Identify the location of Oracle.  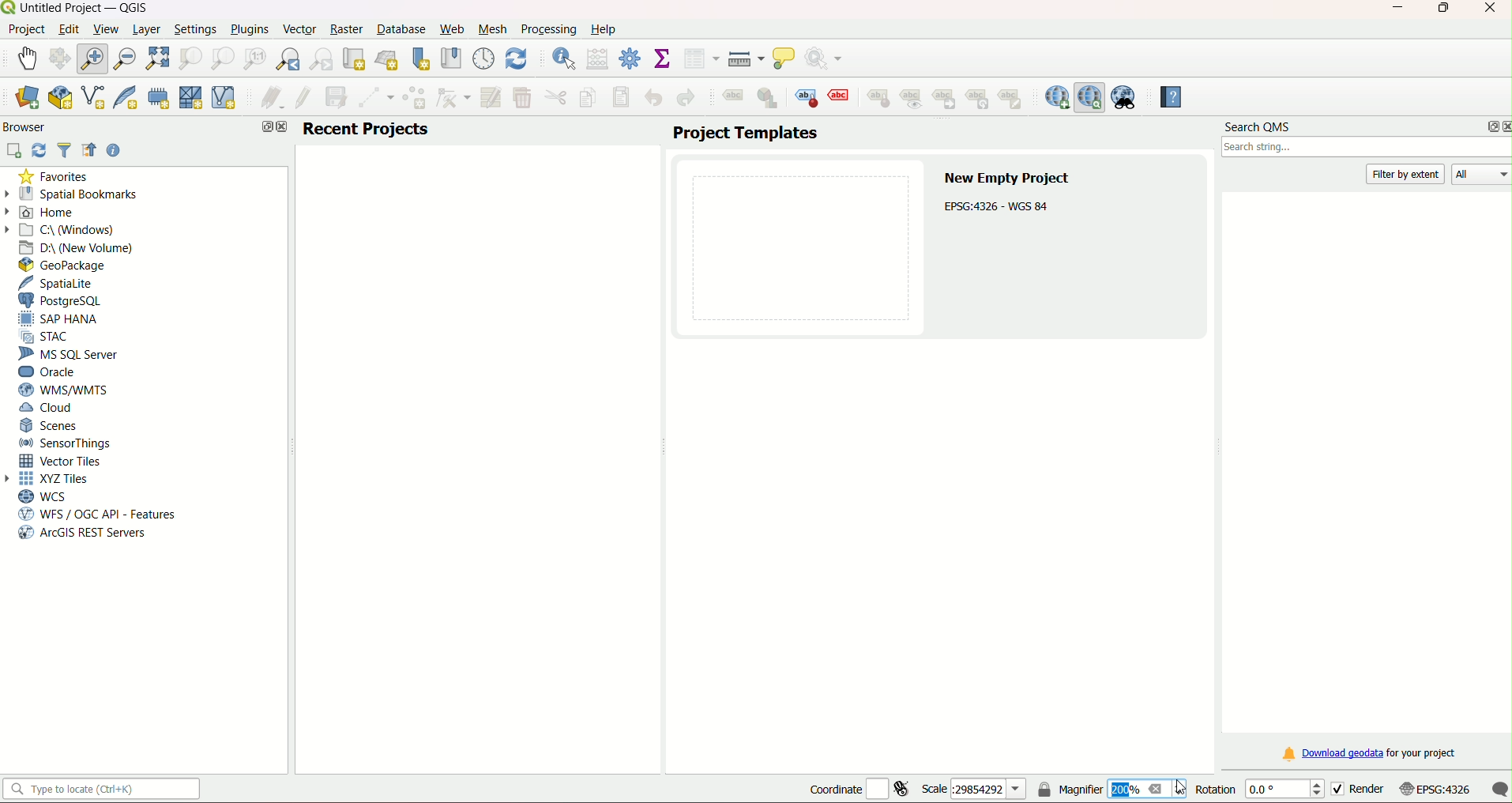
(51, 371).